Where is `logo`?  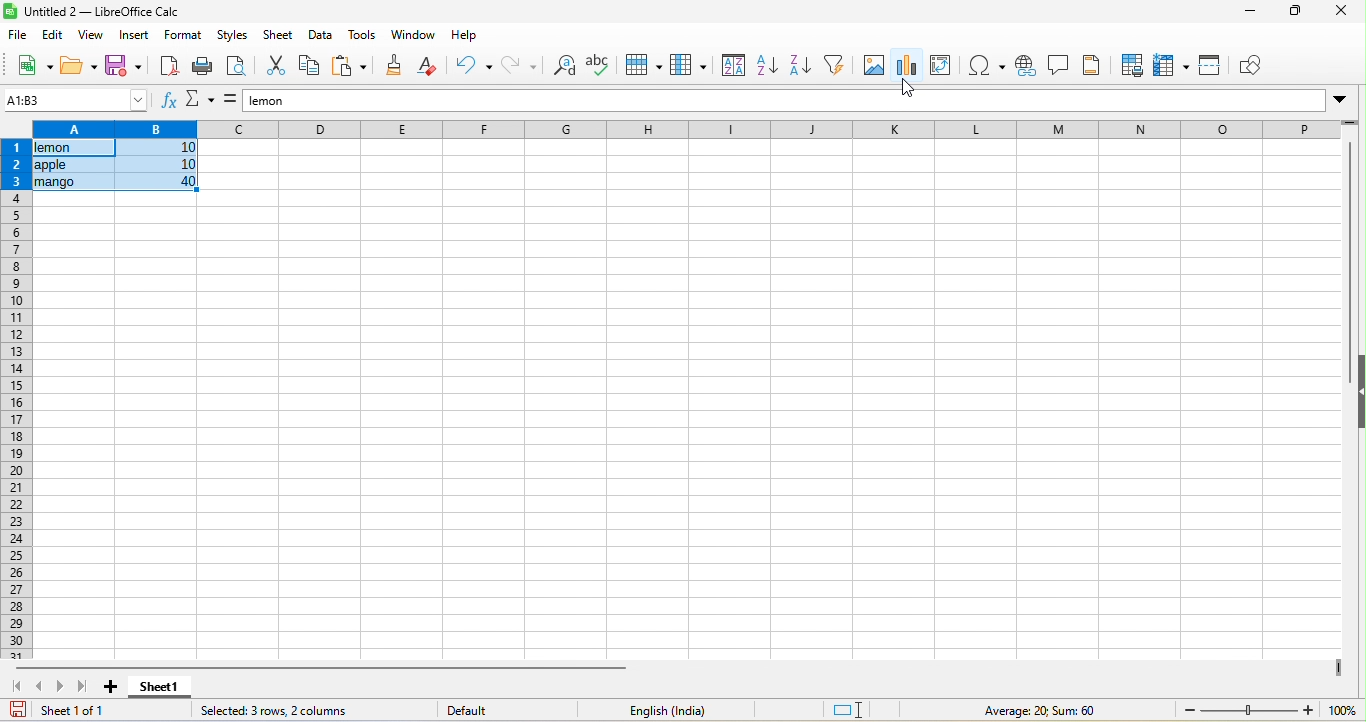 logo is located at coordinates (11, 12).